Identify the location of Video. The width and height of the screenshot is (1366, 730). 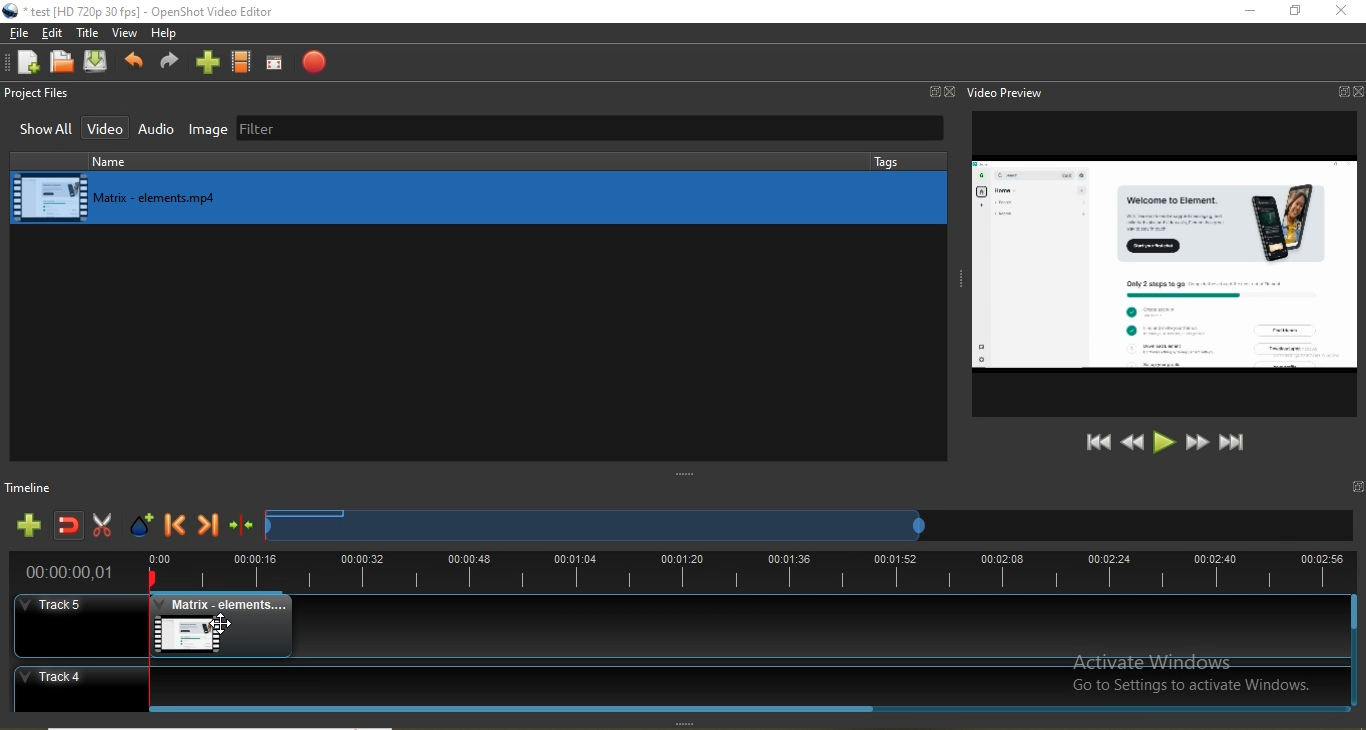
(107, 128).